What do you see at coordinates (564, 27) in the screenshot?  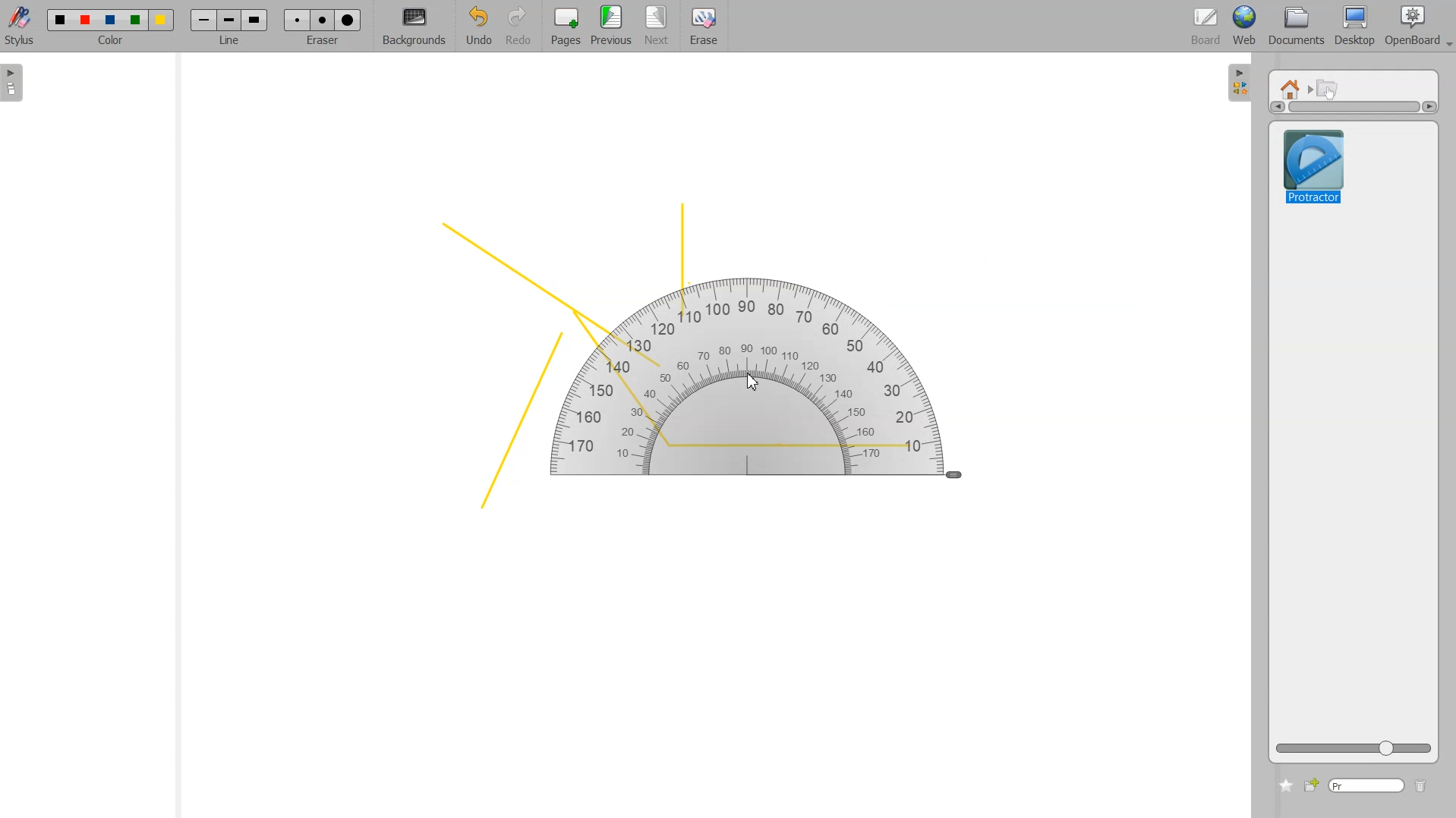 I see `Pages` at bounding box center [564, 27].